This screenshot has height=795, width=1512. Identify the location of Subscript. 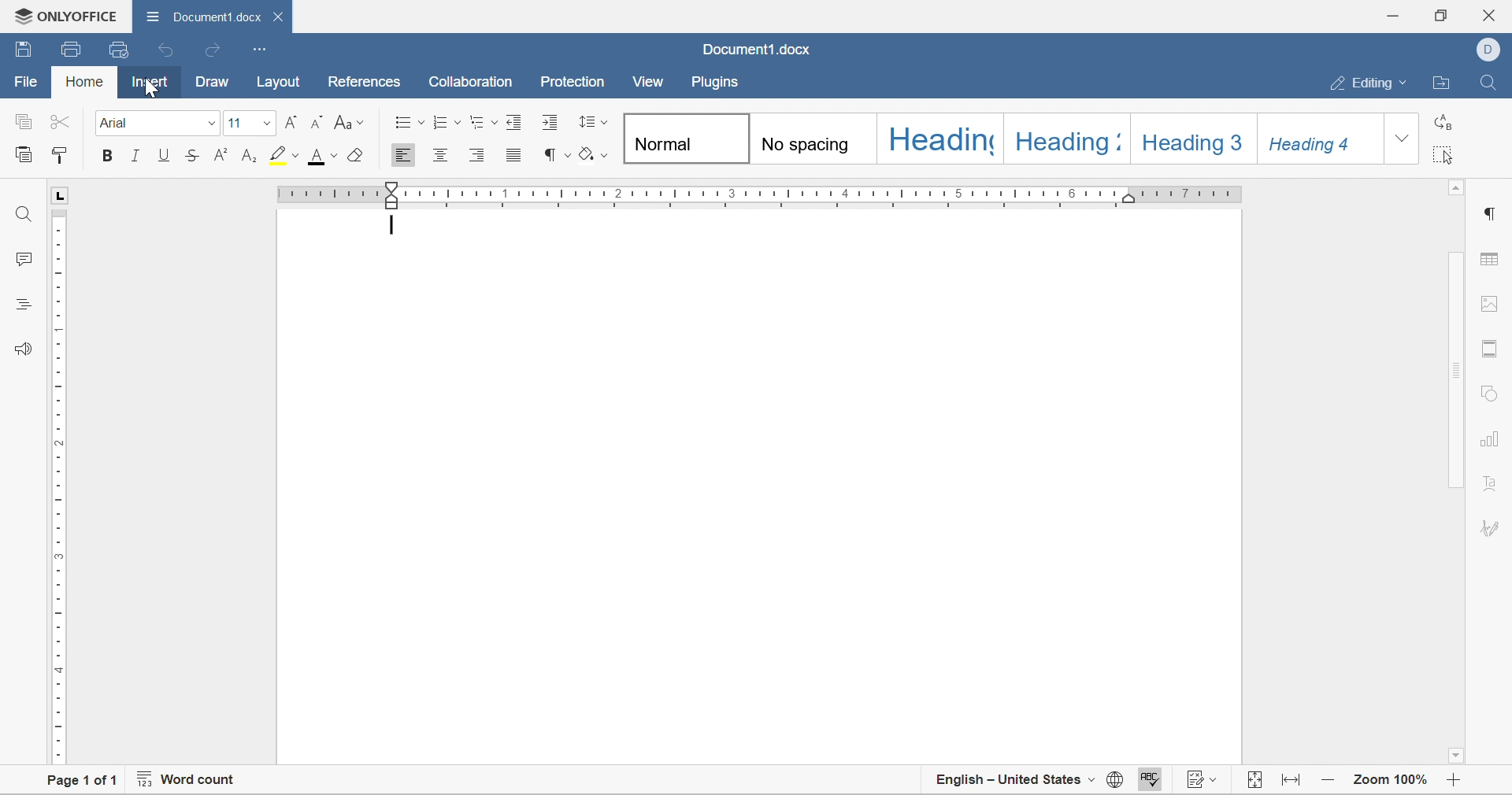
(250, 156).